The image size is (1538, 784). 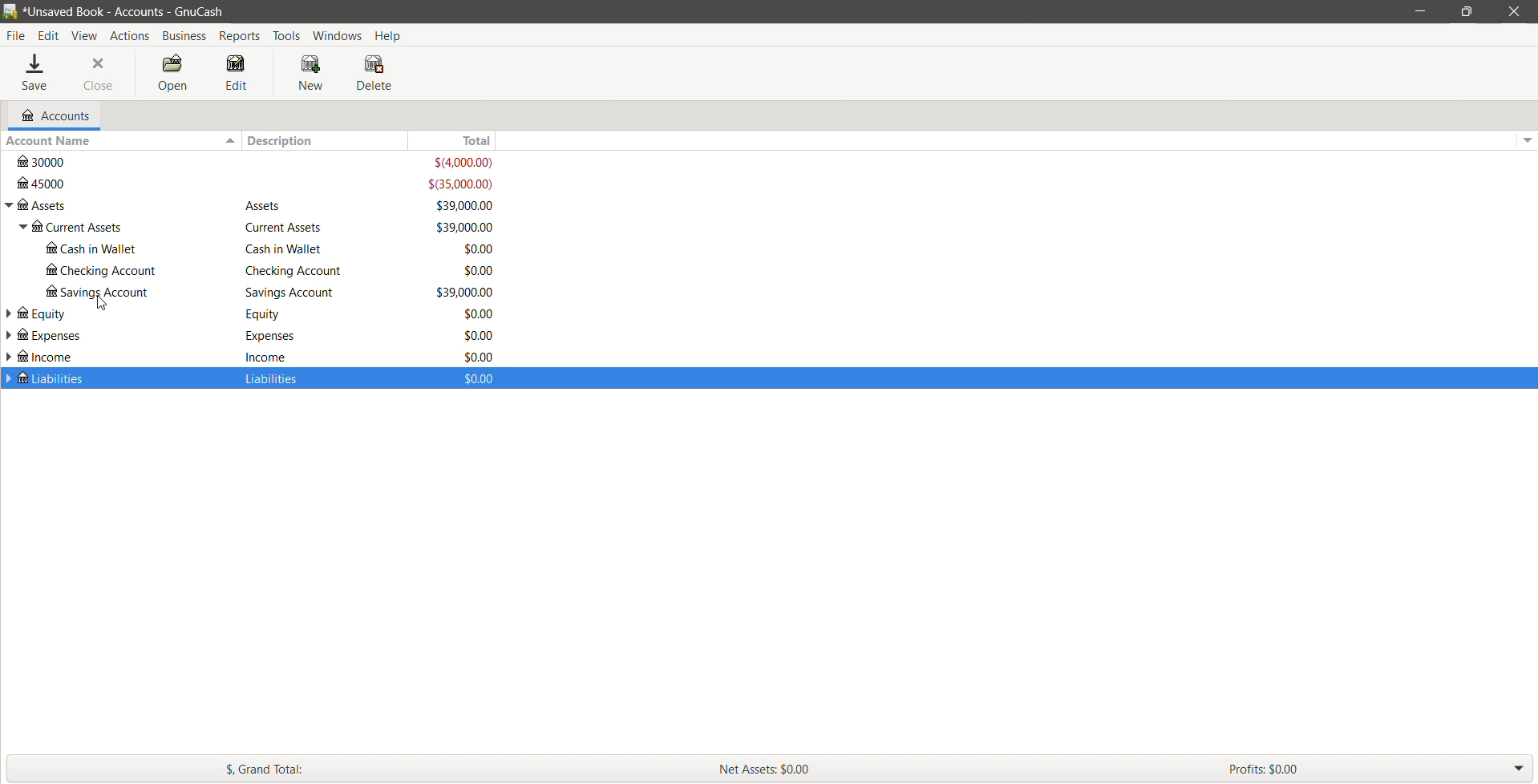 What do you see at coordinates (121, 182) in the screenshot?
I see `45000` at bounding box center [121, 182].